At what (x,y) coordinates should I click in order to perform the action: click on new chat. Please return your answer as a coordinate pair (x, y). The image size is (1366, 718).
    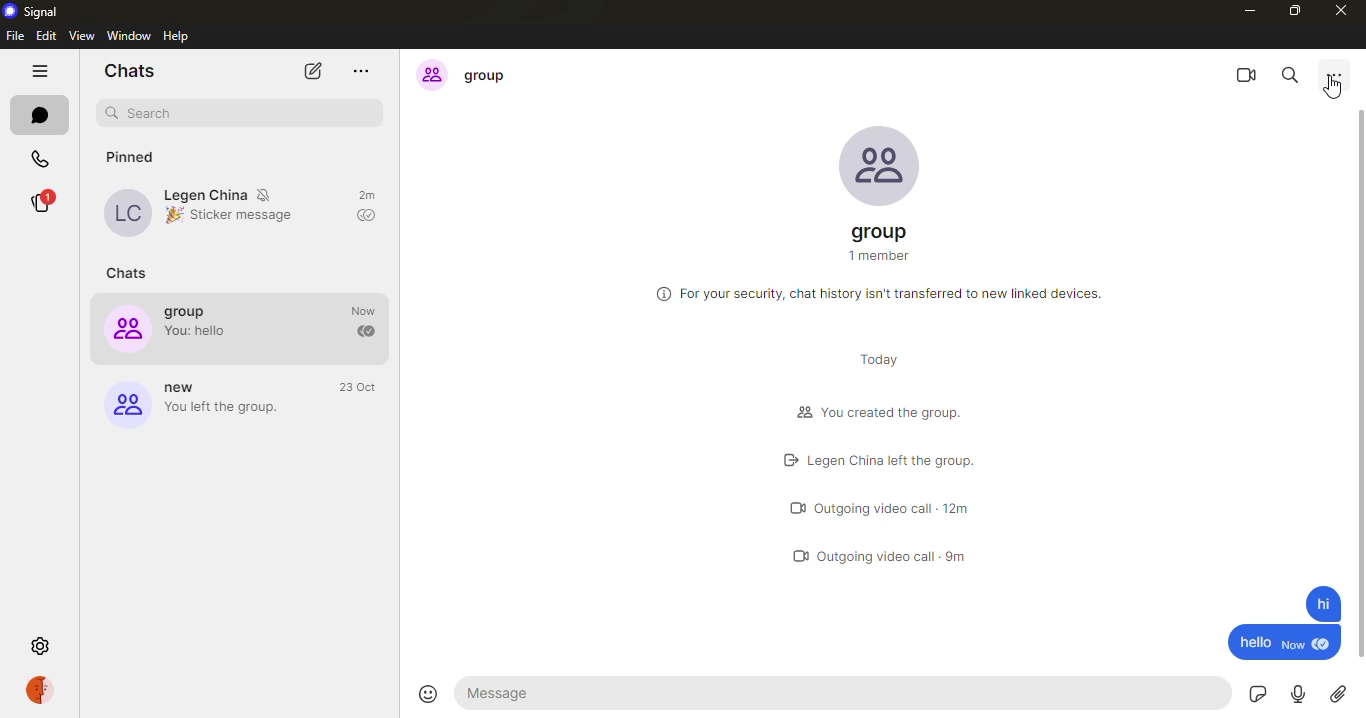
    Looking at the image, I should click on (312, 71).